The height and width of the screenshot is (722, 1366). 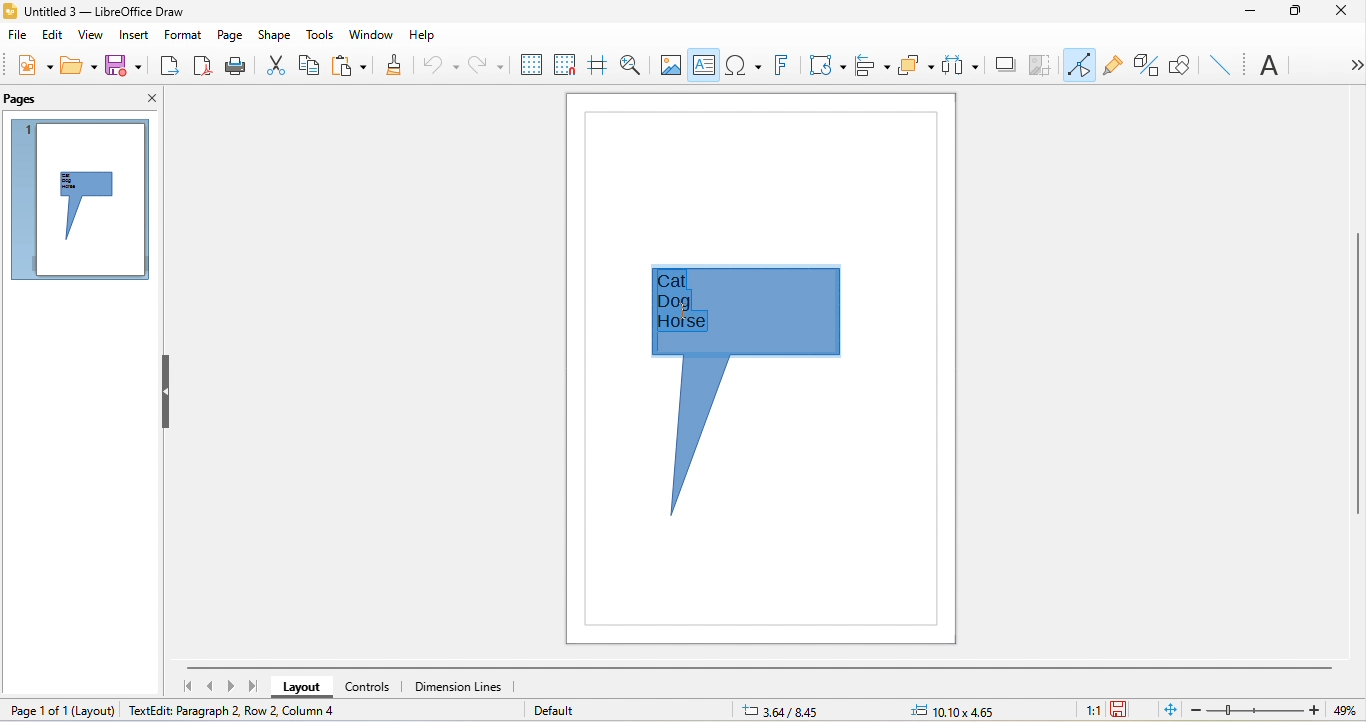 I want to click on textedit paragraph 2, row 2, column 4, so click(x=270, y=712).